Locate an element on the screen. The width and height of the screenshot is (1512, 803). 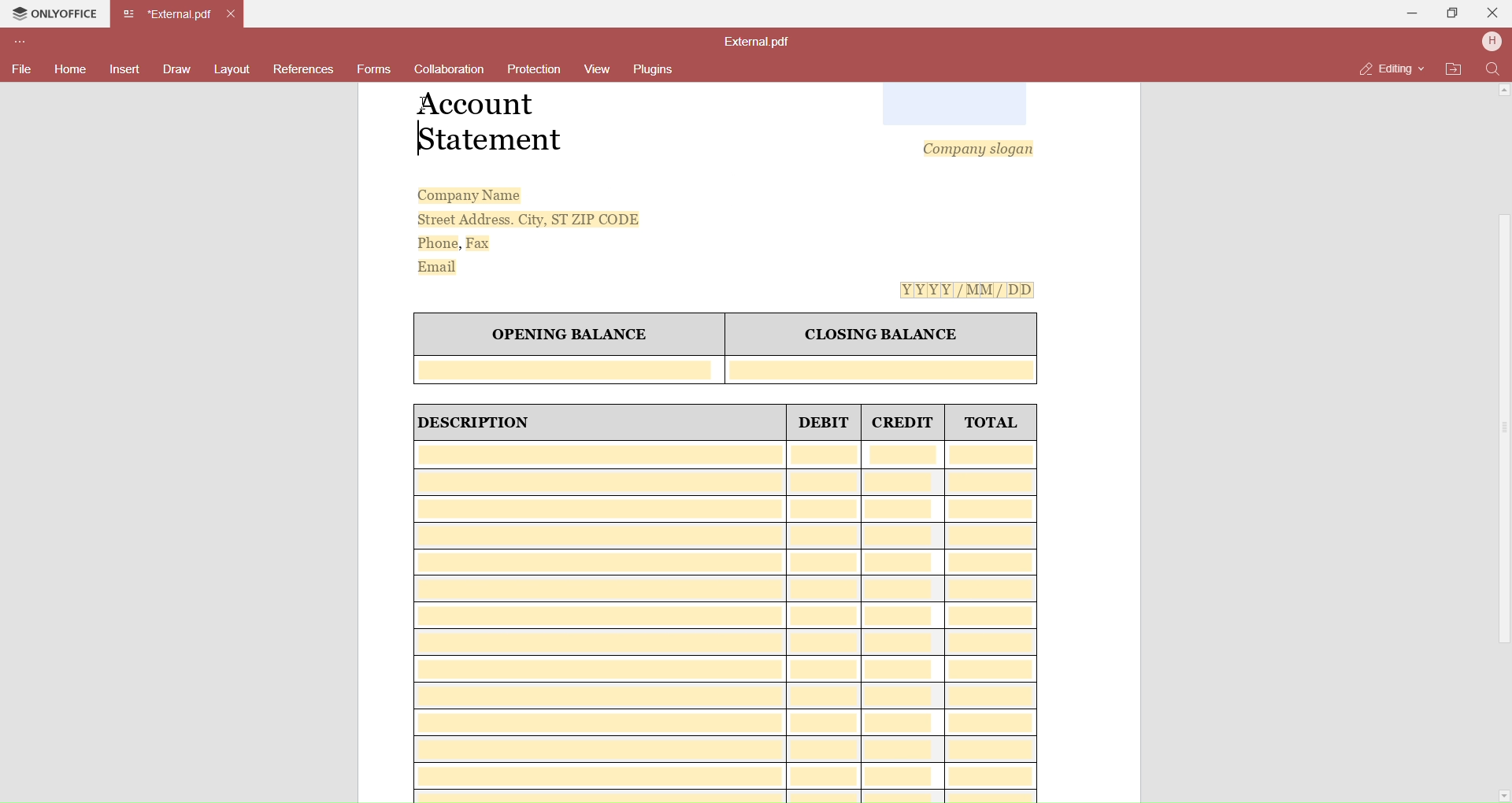
Close is located at coordinates (1493, 12).